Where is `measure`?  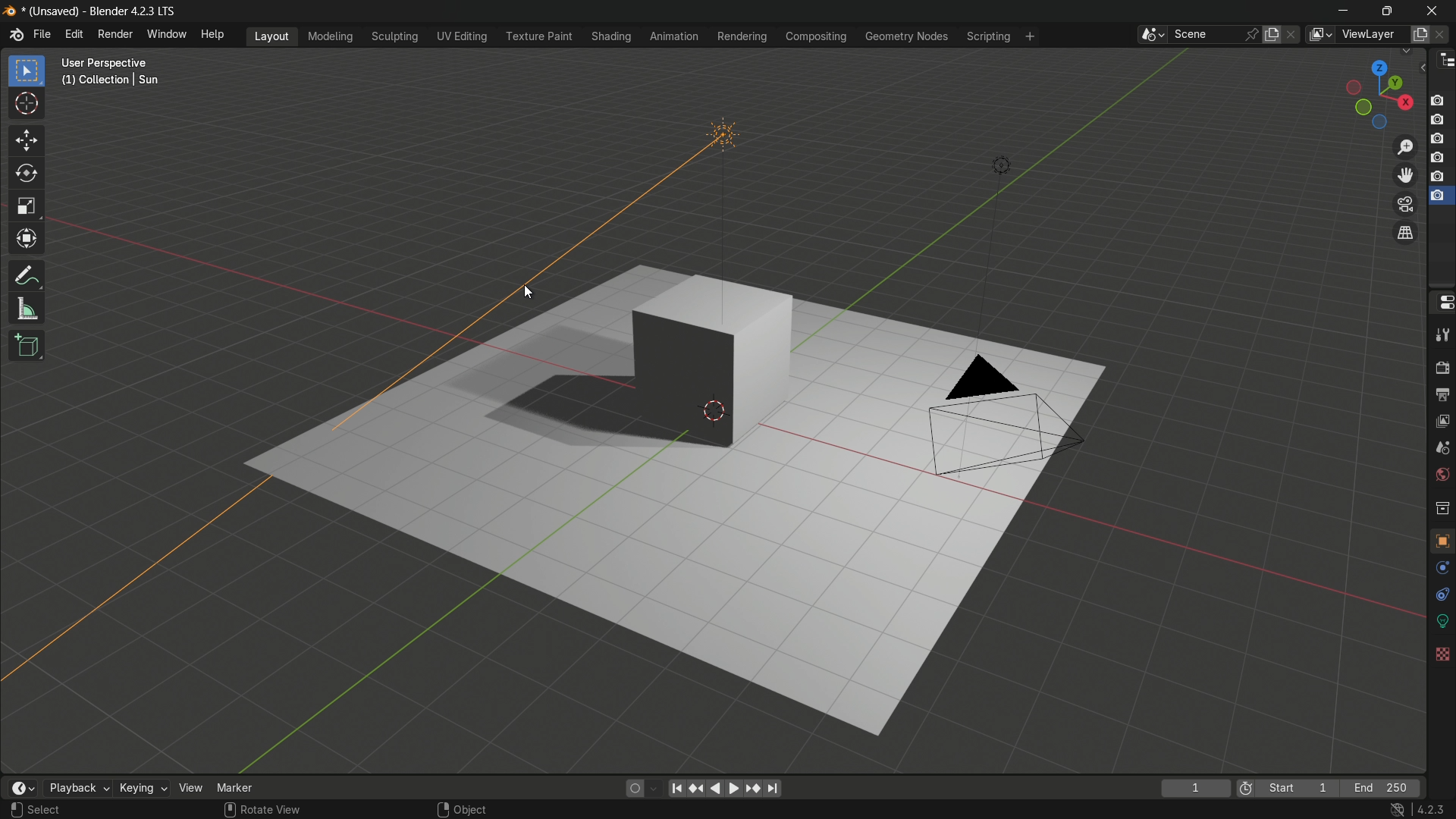 measure is located at coordinates (29, 310).